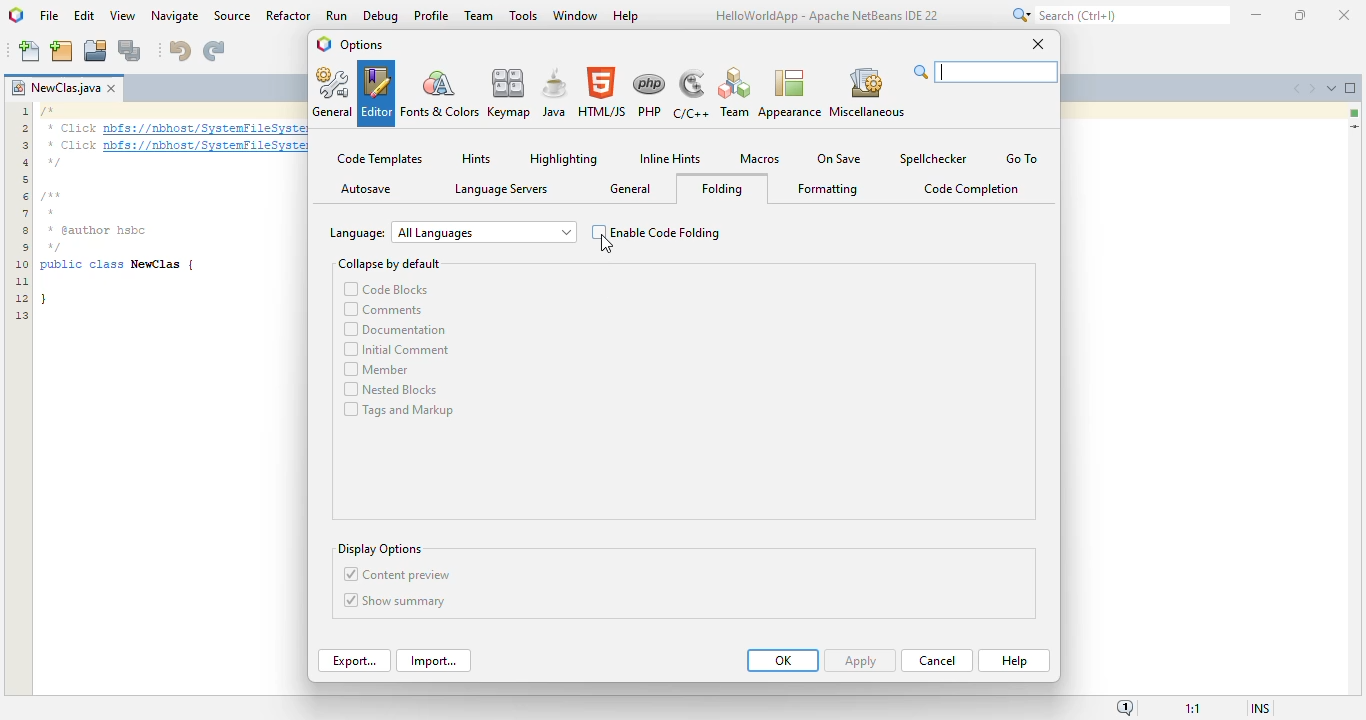 The width and height of the screenshot is (1366, 720). What do you see at coordinates (1259, 708) in the screenshot?
I see `insert mode` at bounding box center [1259, 708].